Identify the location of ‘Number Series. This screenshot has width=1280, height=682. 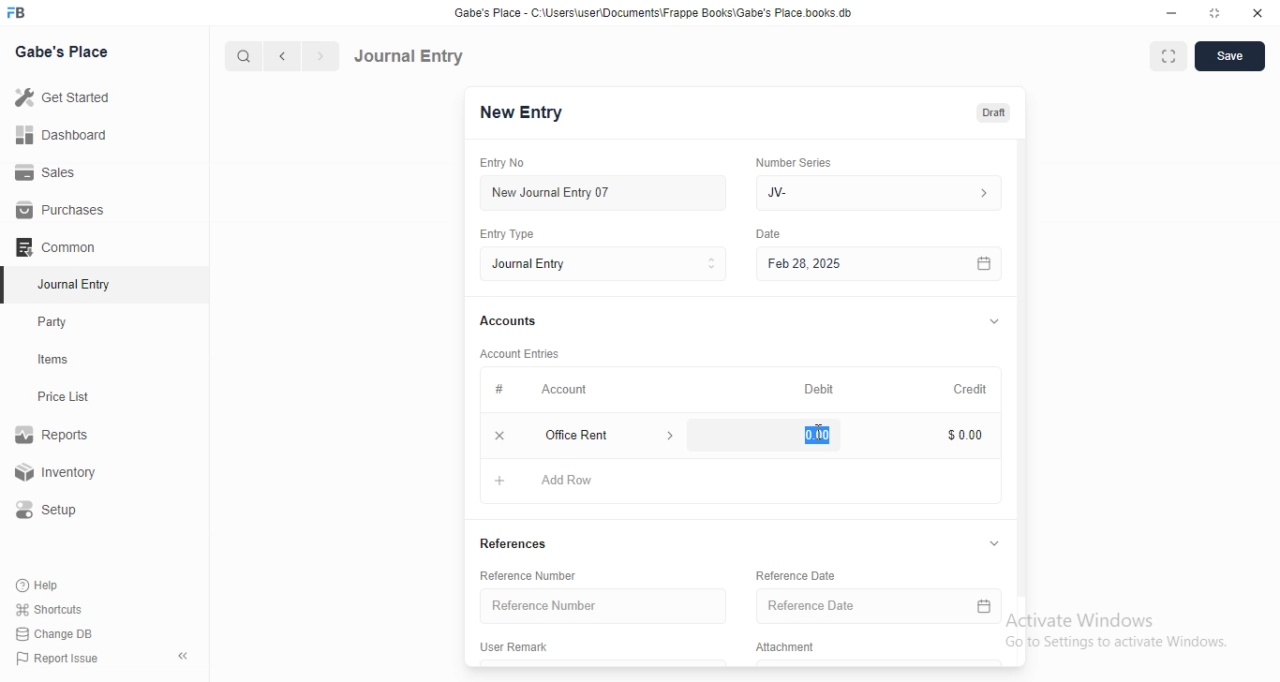
(792, 162).